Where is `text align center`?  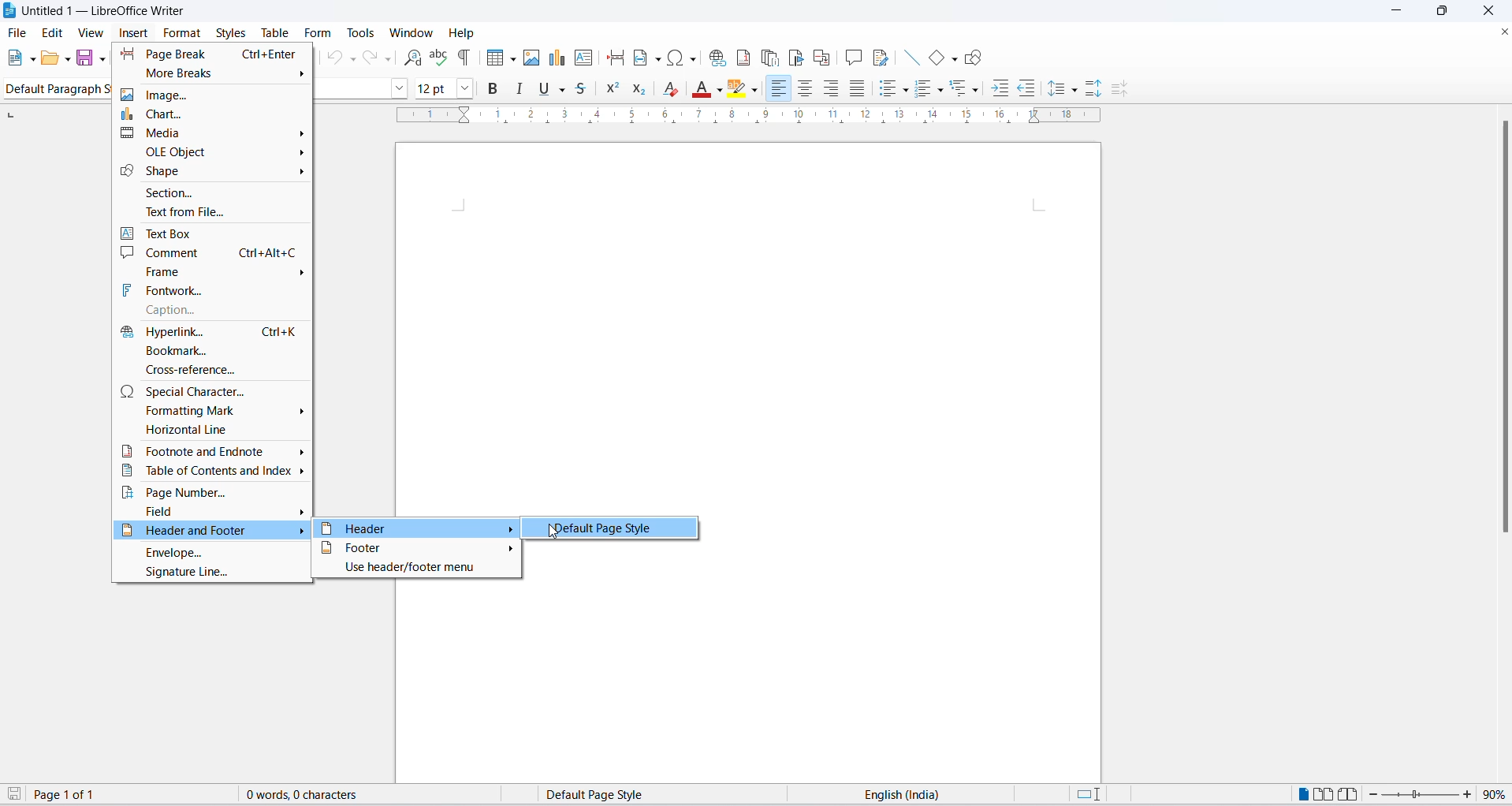 text align center is located at coordinates (832, 88).